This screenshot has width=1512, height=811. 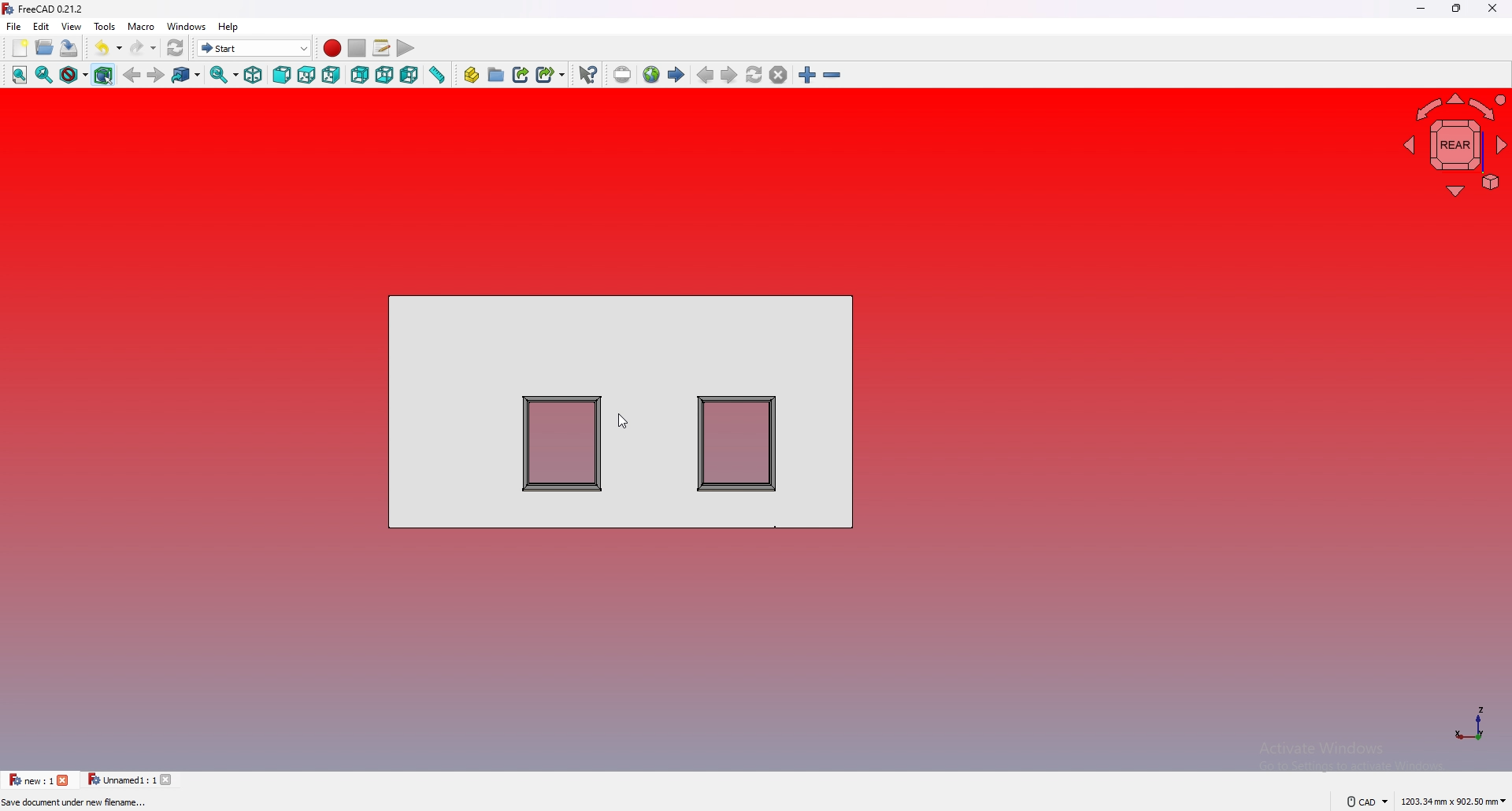 I want to click on refresh web page, so click(x=754, y=76).